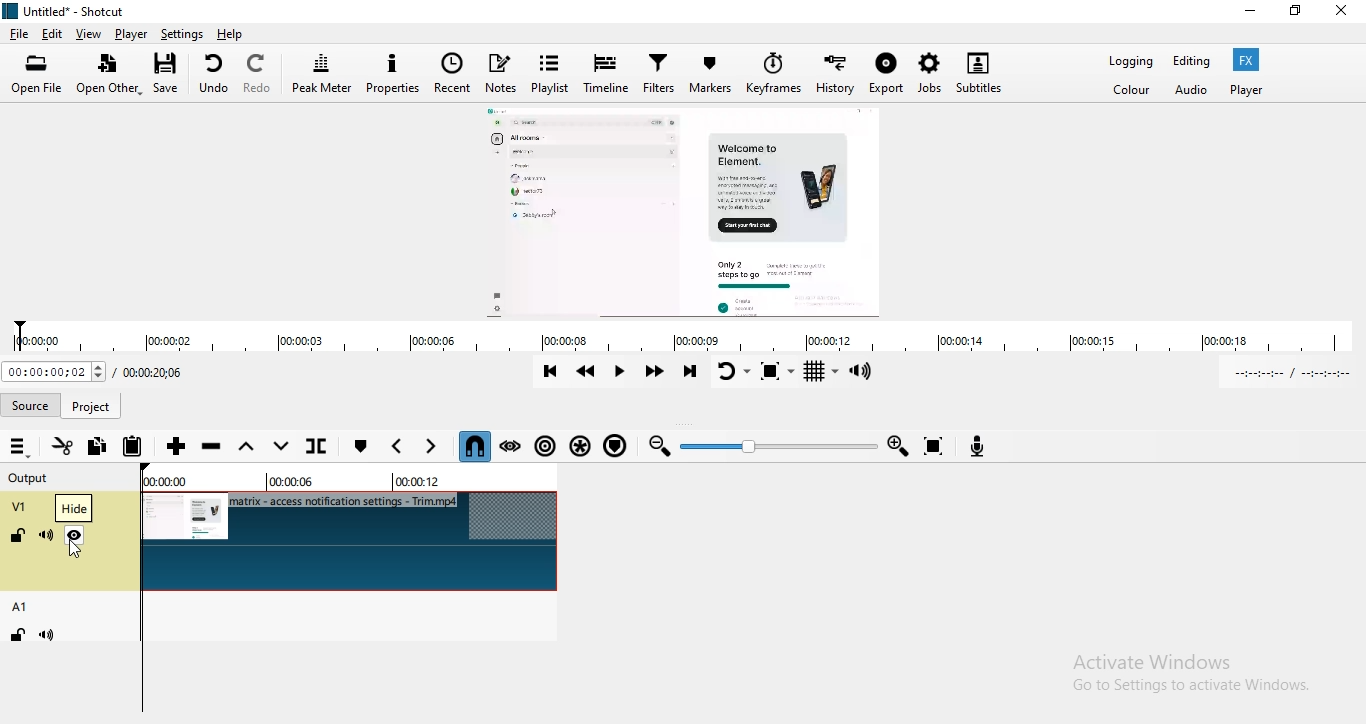  What do you see at coordinates (61, 445) in the screenshot?
I see `Cut` at bounding box center [61, 445].